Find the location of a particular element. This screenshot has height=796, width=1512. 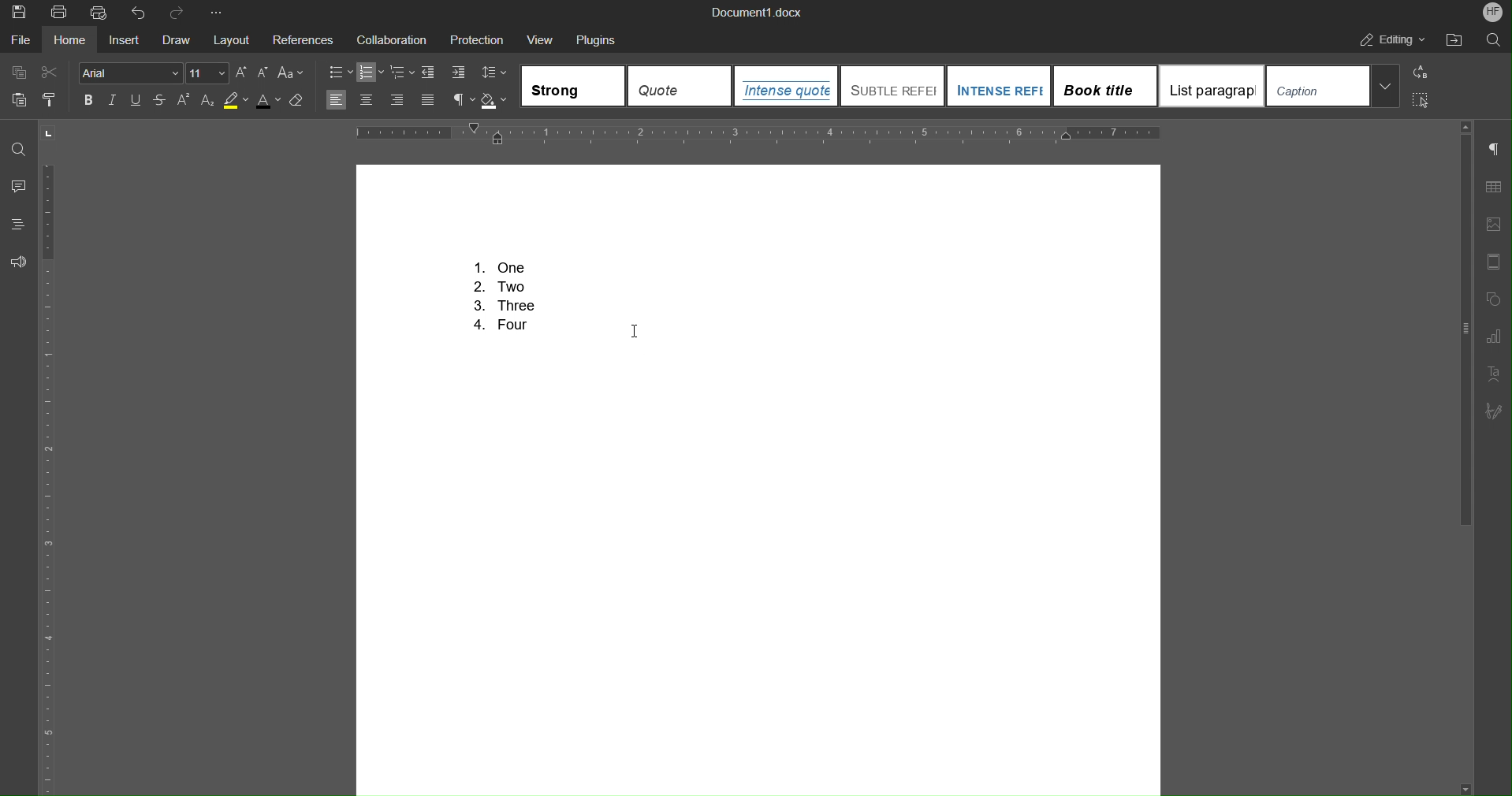

Text Case Options is located at coordinates (290, 73).